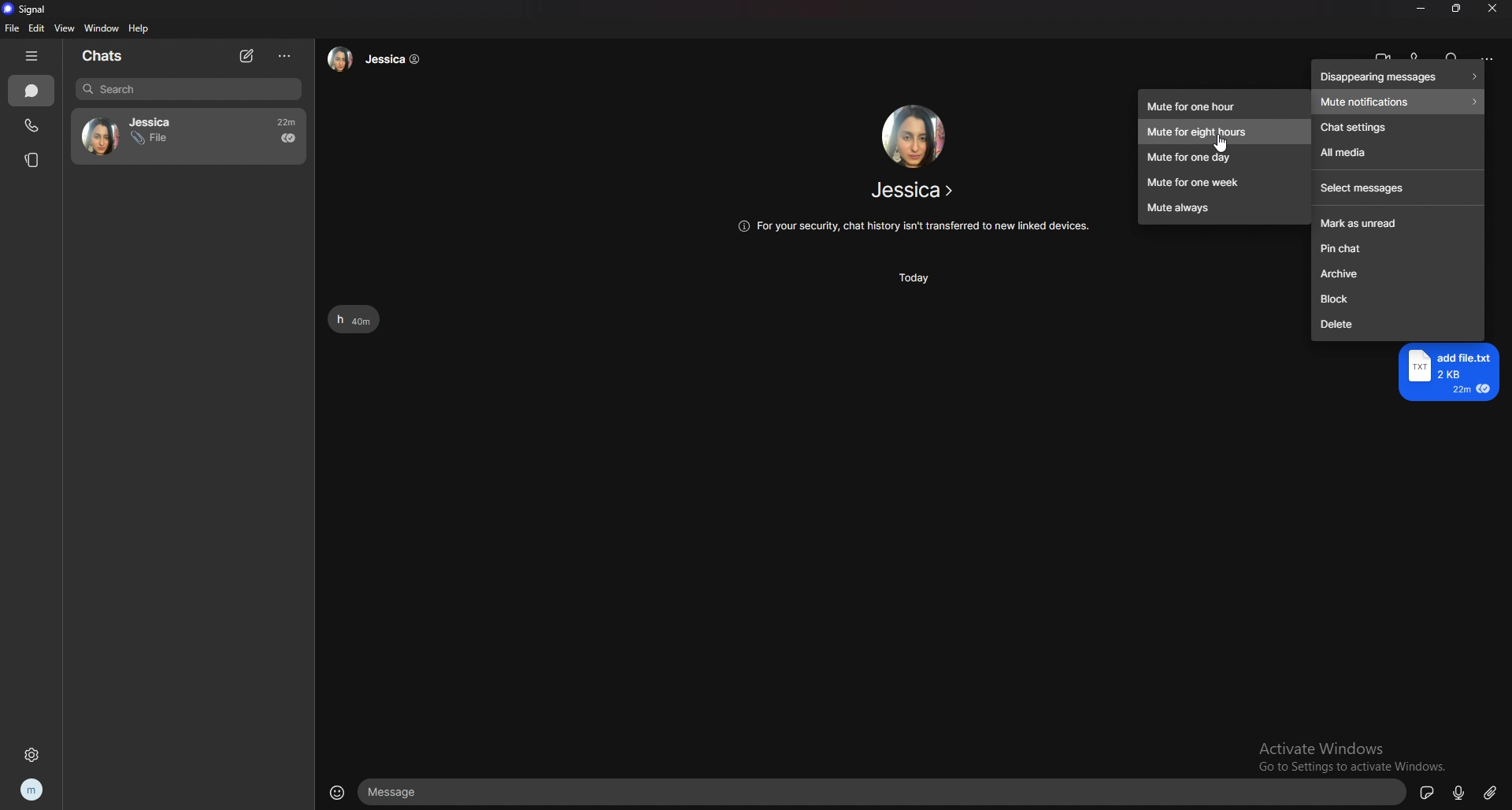 This screenshot has width=1512, height=810. Describe the element at coordinates (27, 9) in the screenshot. I see `signal` at that location.